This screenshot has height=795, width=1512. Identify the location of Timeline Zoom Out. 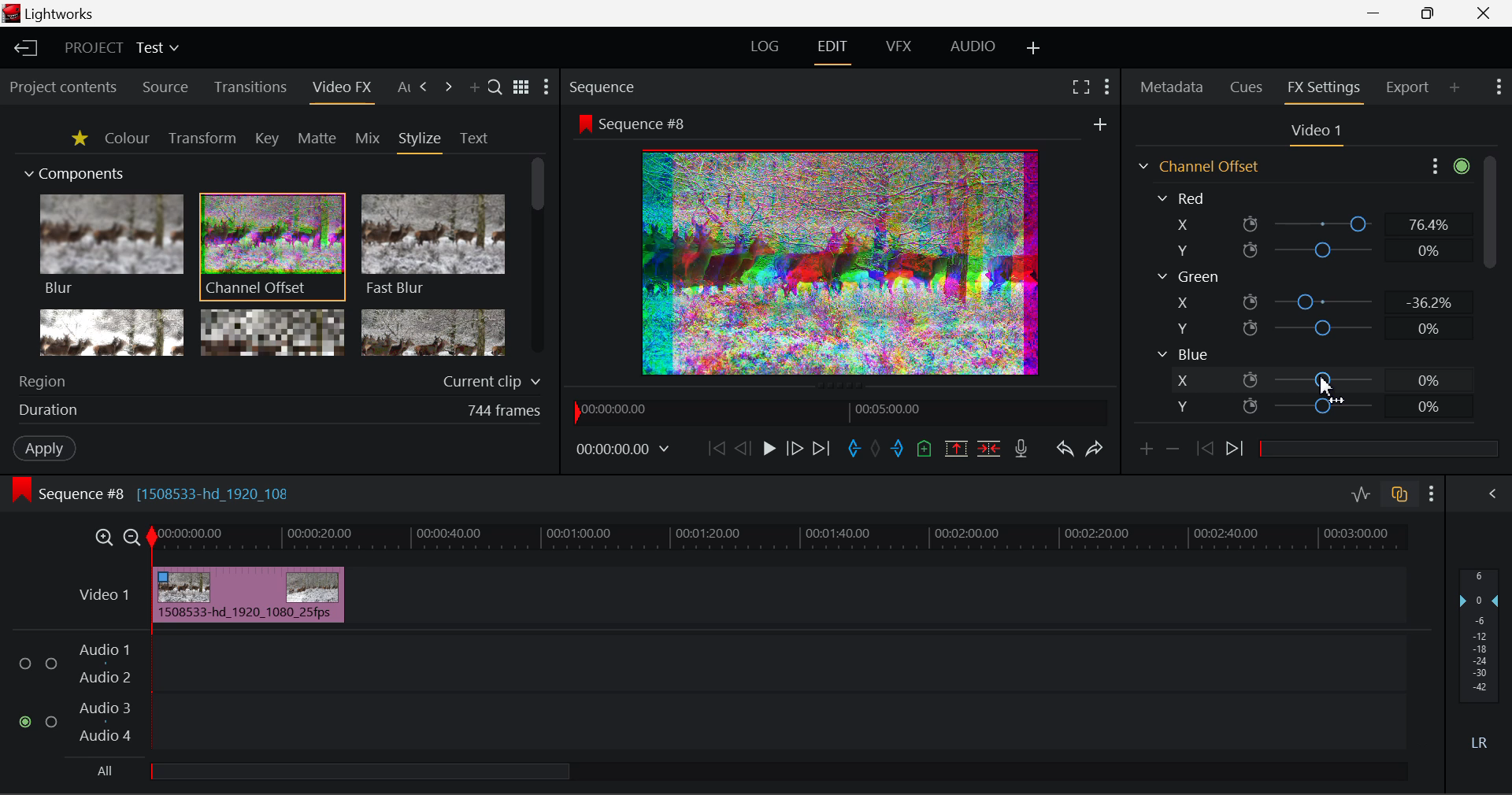
(134, 539).